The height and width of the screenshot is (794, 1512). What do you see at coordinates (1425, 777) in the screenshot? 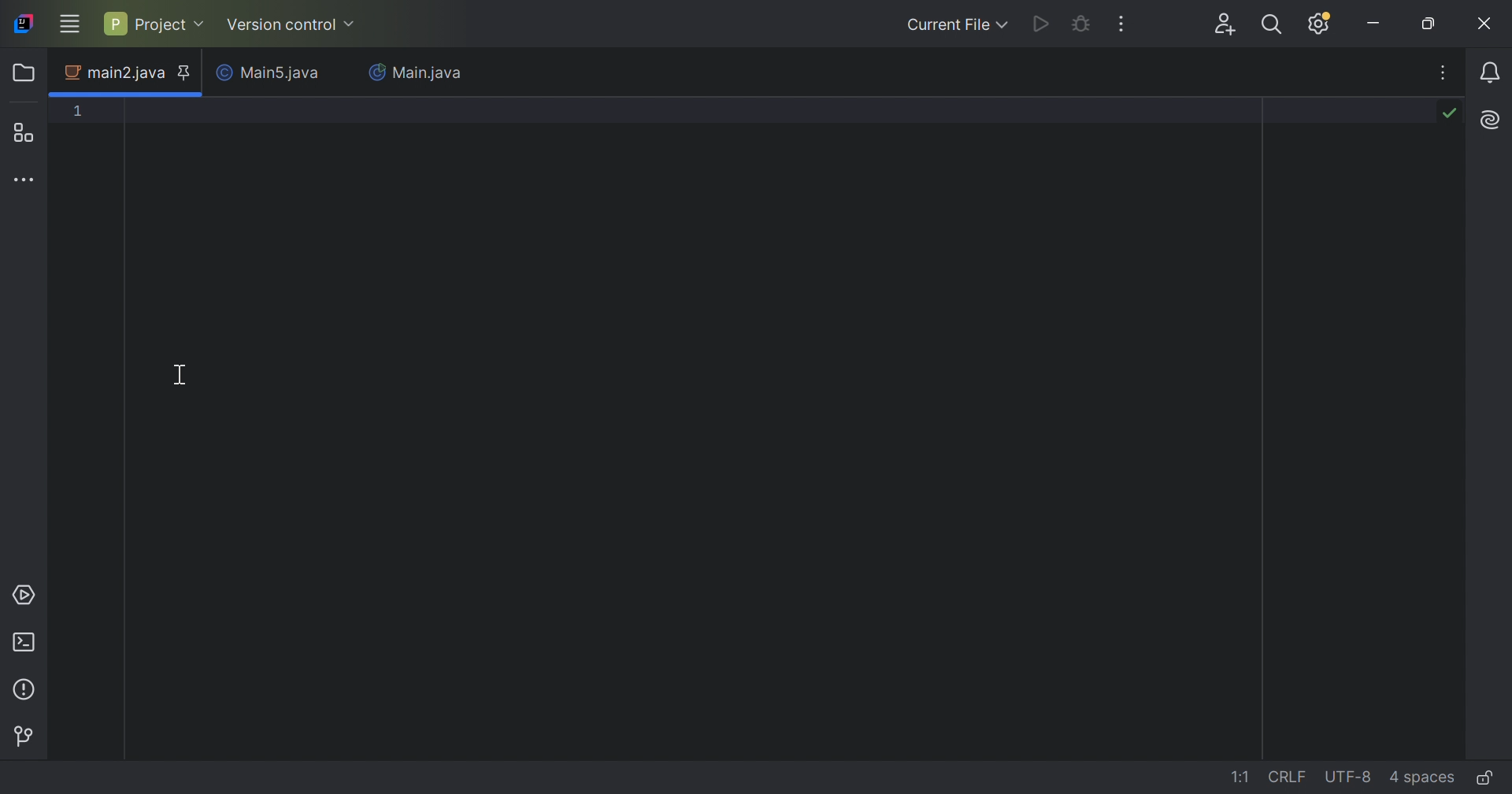
I see `indent: 4 spaces` at bounding box center [1425, 777].